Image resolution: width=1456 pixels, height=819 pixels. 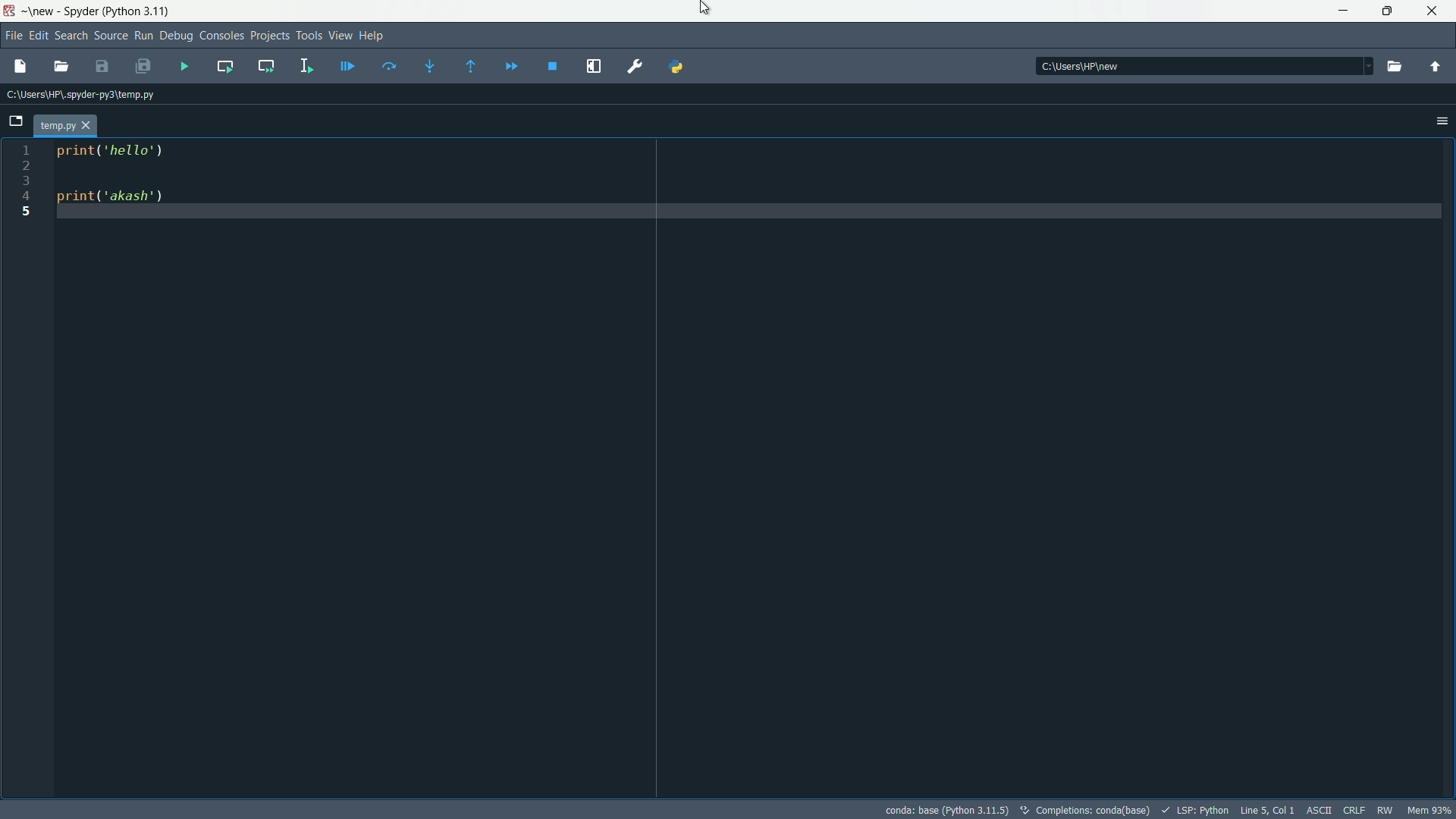 What do you see at coordinates (112, 35) in the screenshot?
I see `source menu` at bounding box center [112, 35].